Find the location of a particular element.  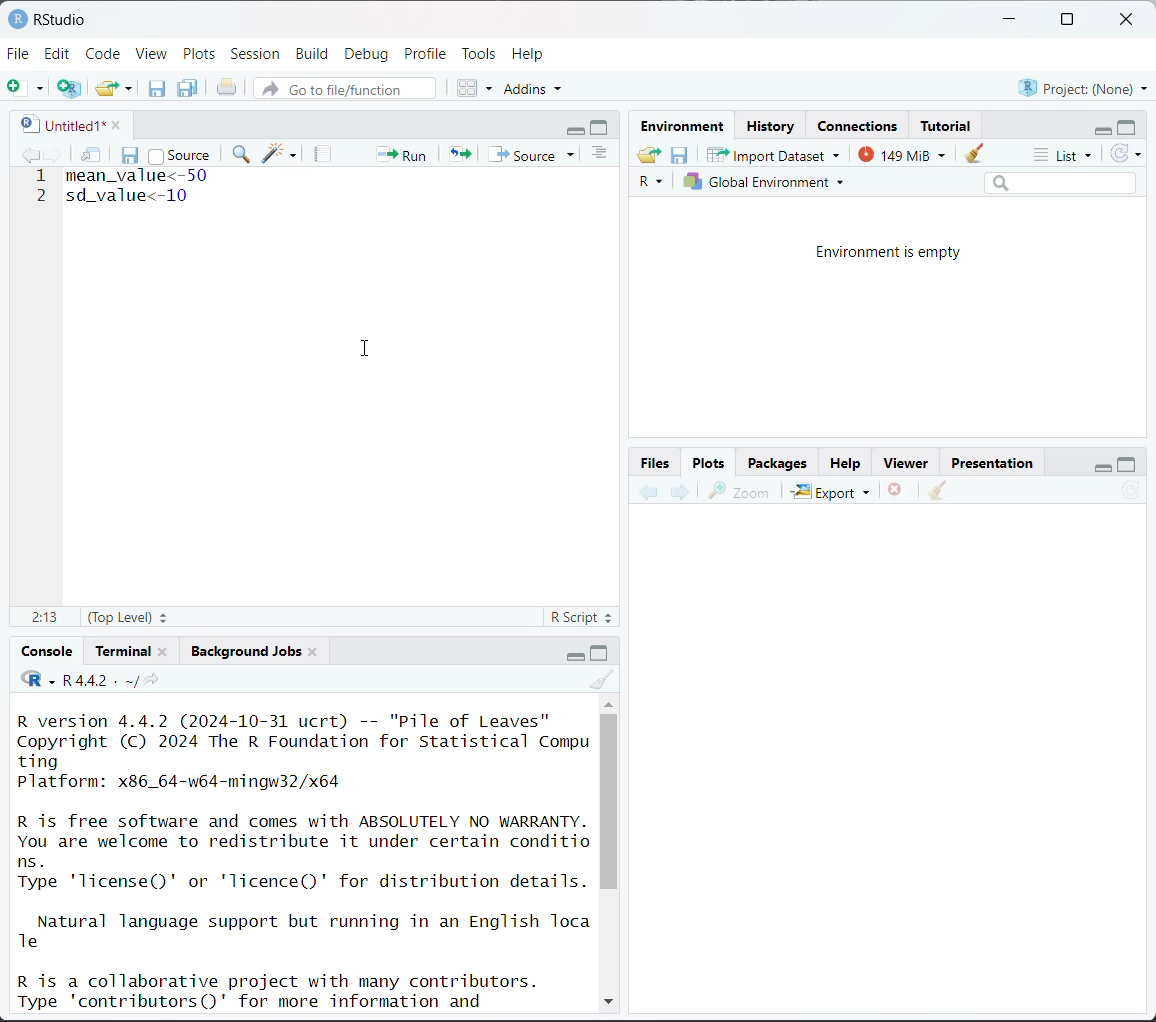

next plot is located at coordinates (678, 492).